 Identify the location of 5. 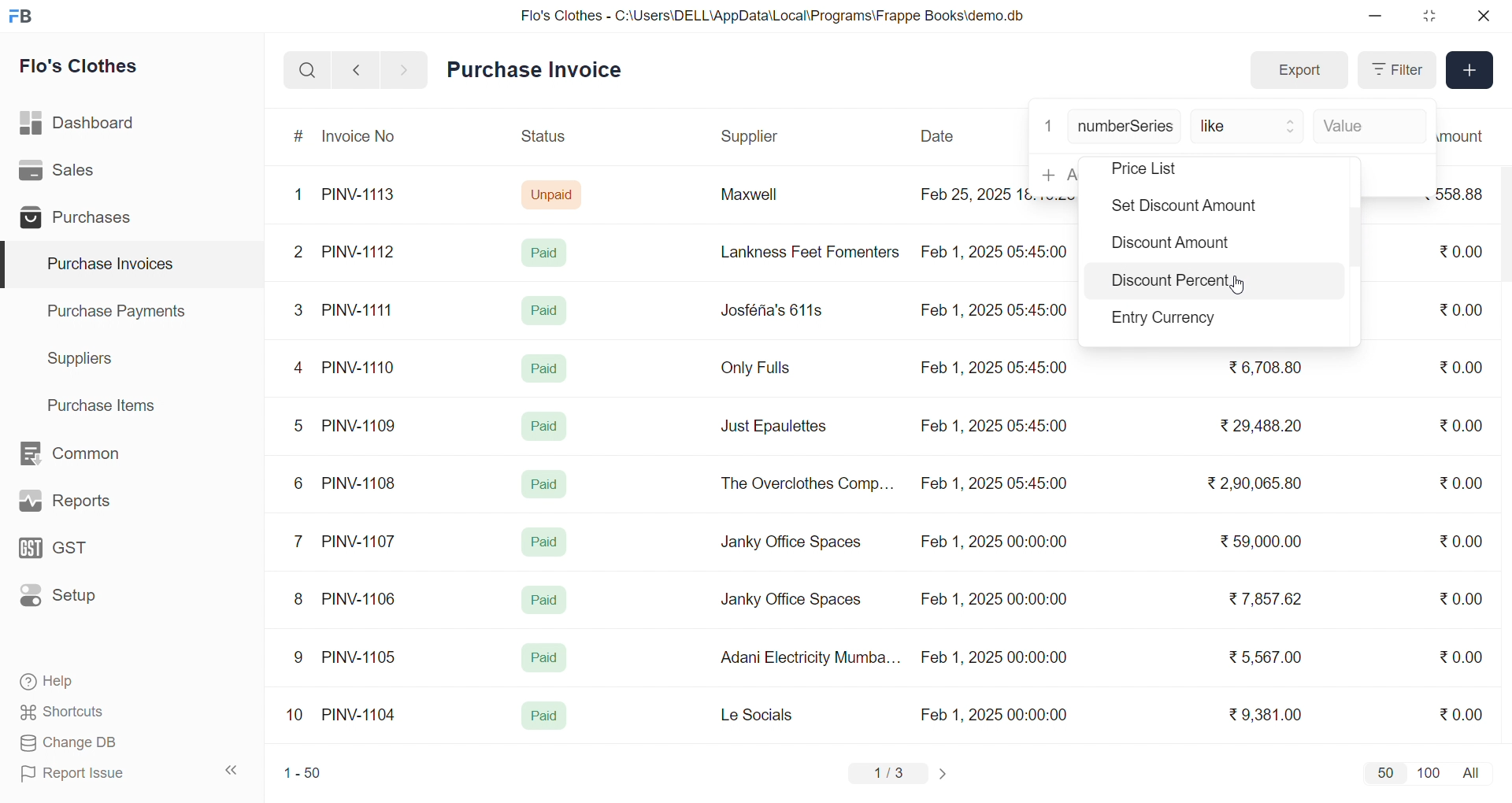
(298, 425).